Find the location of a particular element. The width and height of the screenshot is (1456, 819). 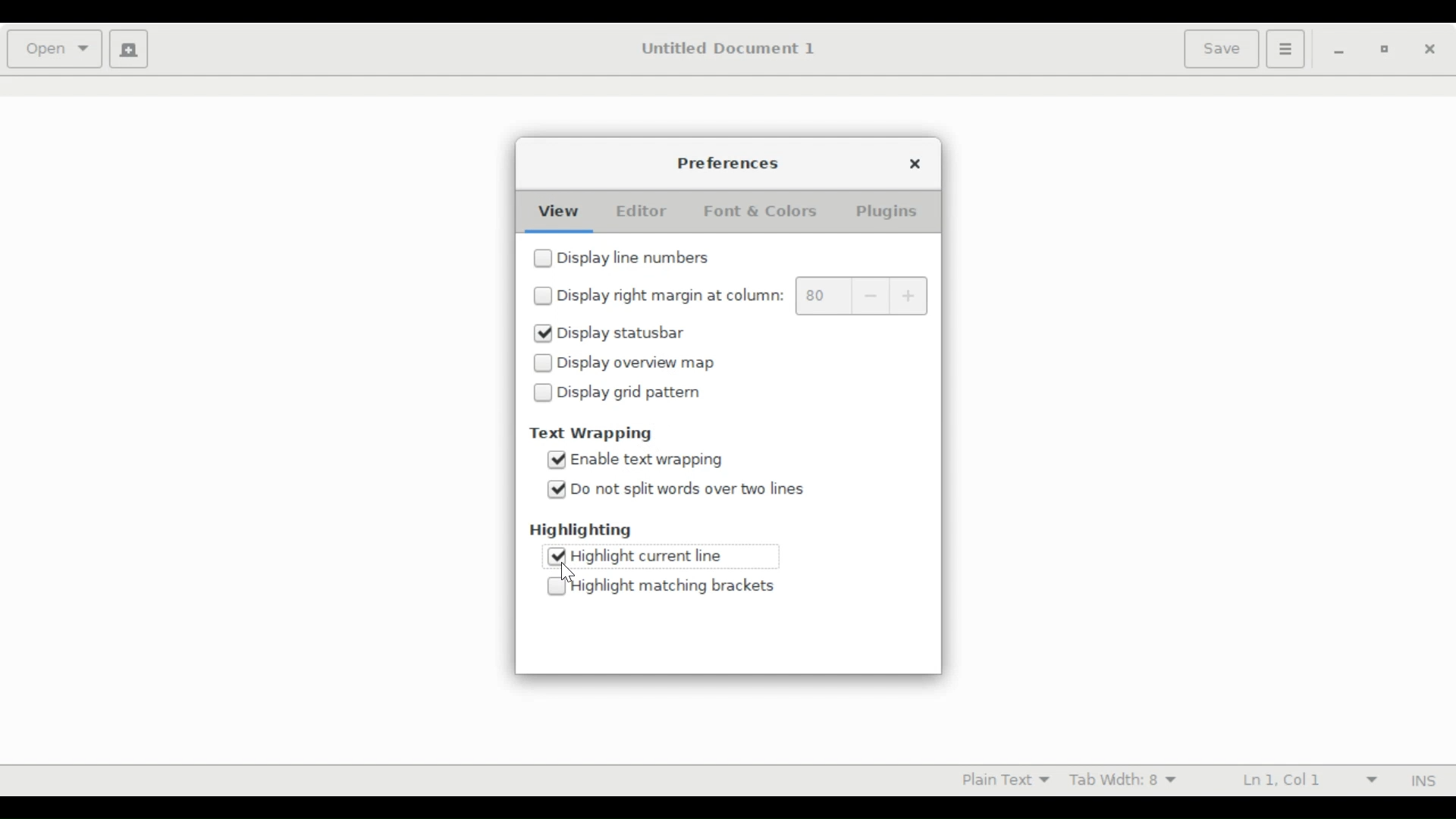

INS is located at coordinates (1422, 781).